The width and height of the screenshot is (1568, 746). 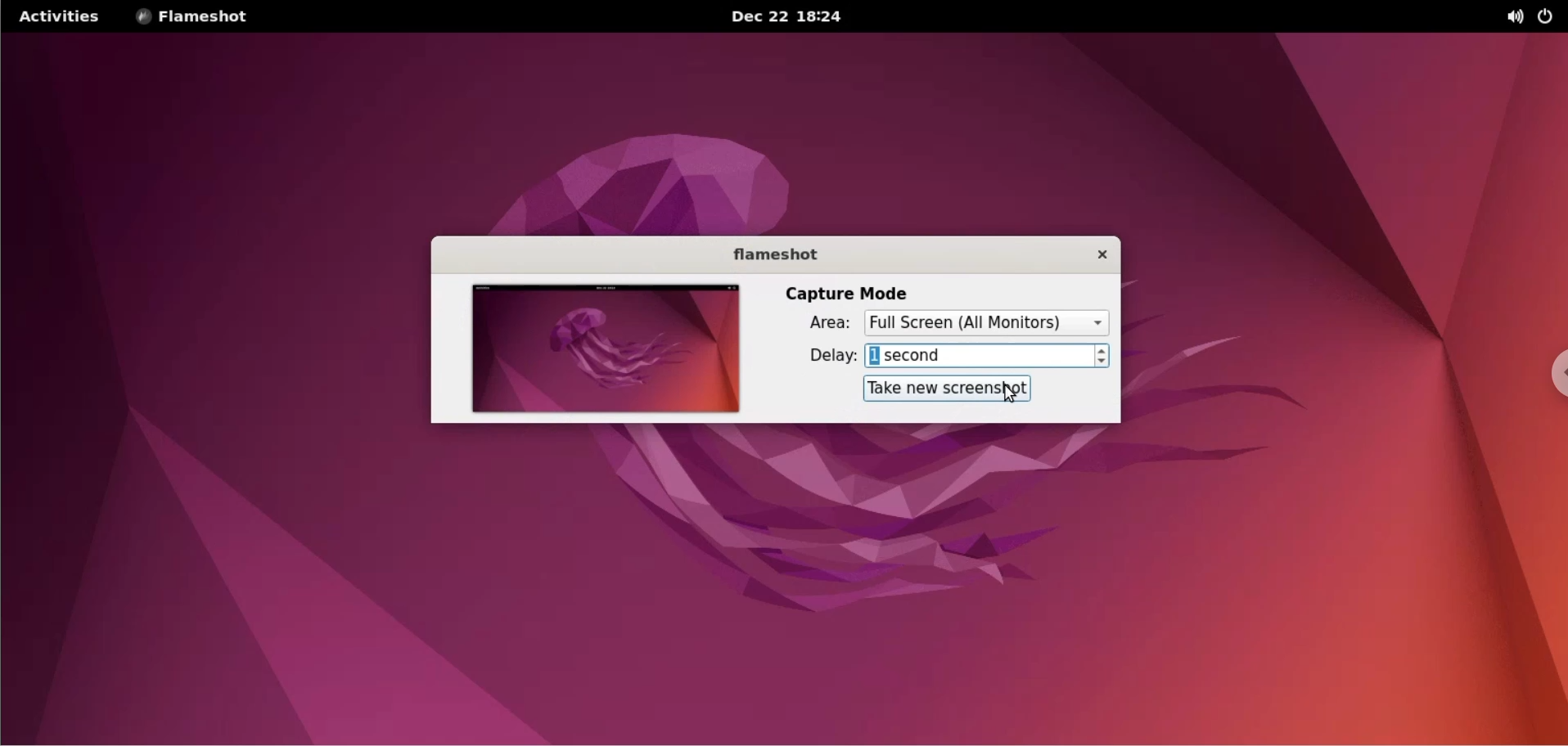 I want to click on flameshot, so click(x=767, y=253).